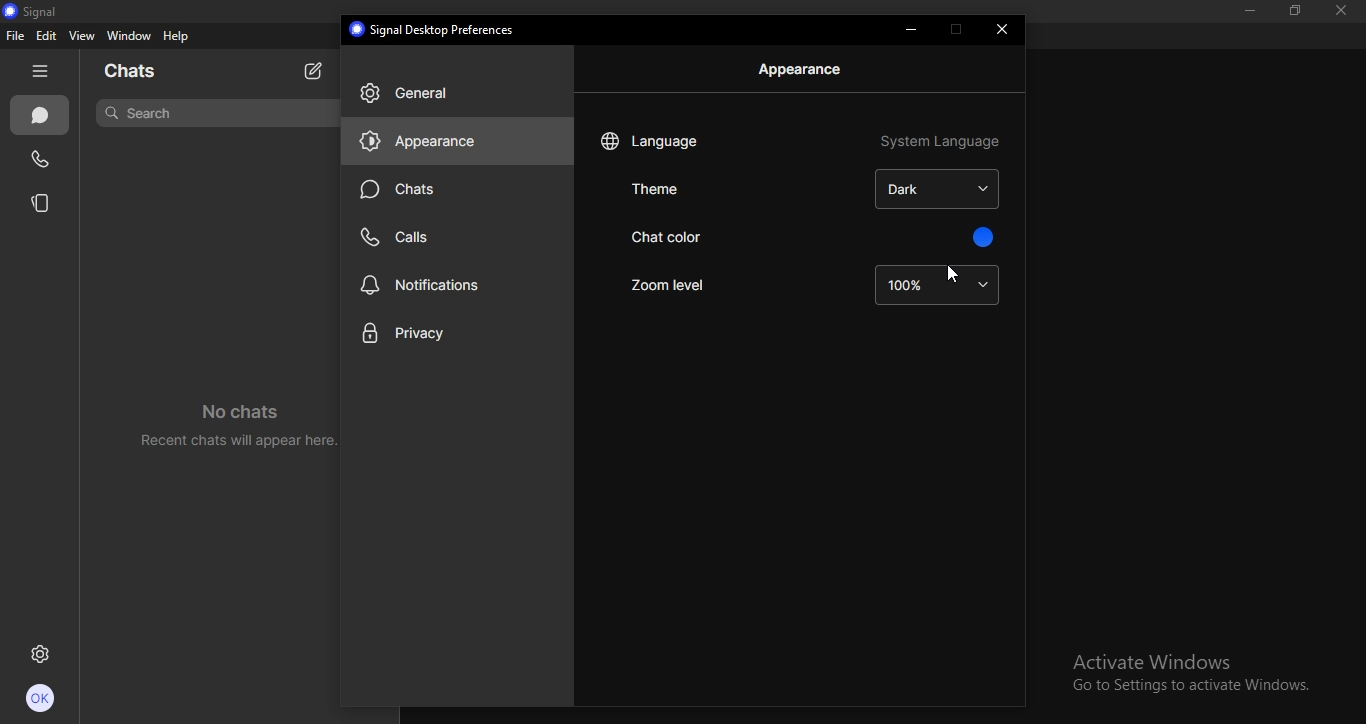 The image size is (1366, 724). Describe the element at coordinates (654, 188) in the screenshot. I see `theme` at that location.